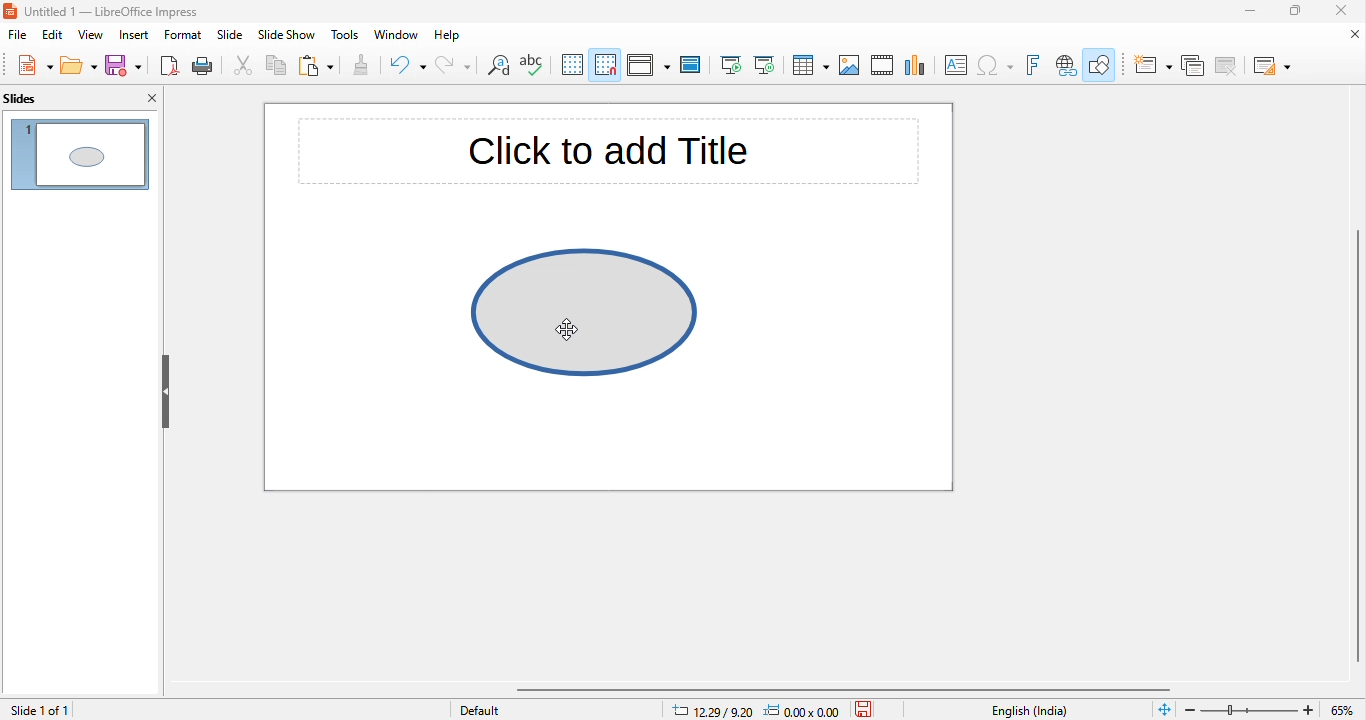  Describe the element at coordinates (707, 709) in the screenshot. I see `12.29/9.20` at that location.